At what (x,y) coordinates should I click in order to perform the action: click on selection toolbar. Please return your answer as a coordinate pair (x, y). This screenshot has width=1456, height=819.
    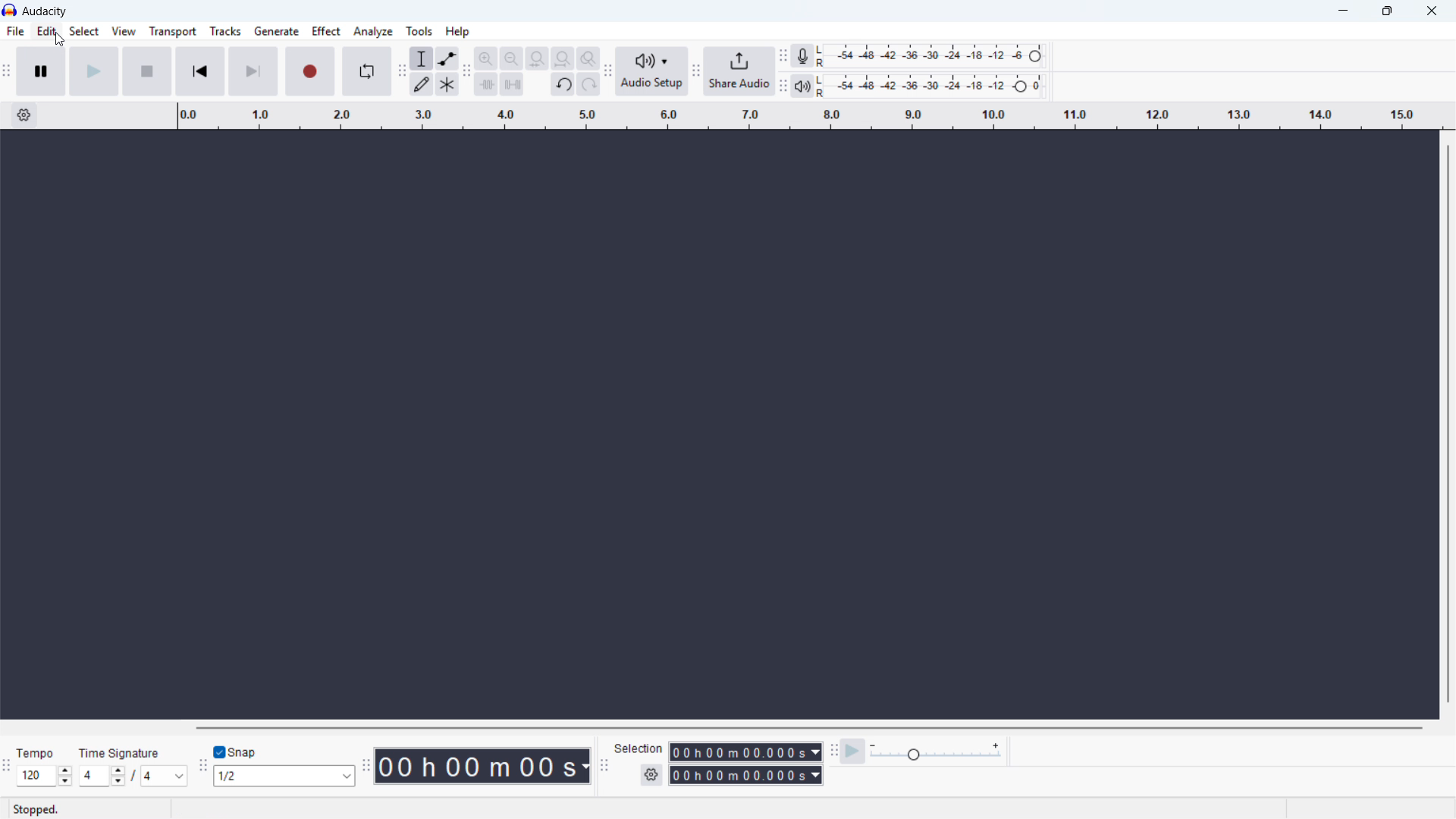
    Looking at the image, I should click on (603, 767).